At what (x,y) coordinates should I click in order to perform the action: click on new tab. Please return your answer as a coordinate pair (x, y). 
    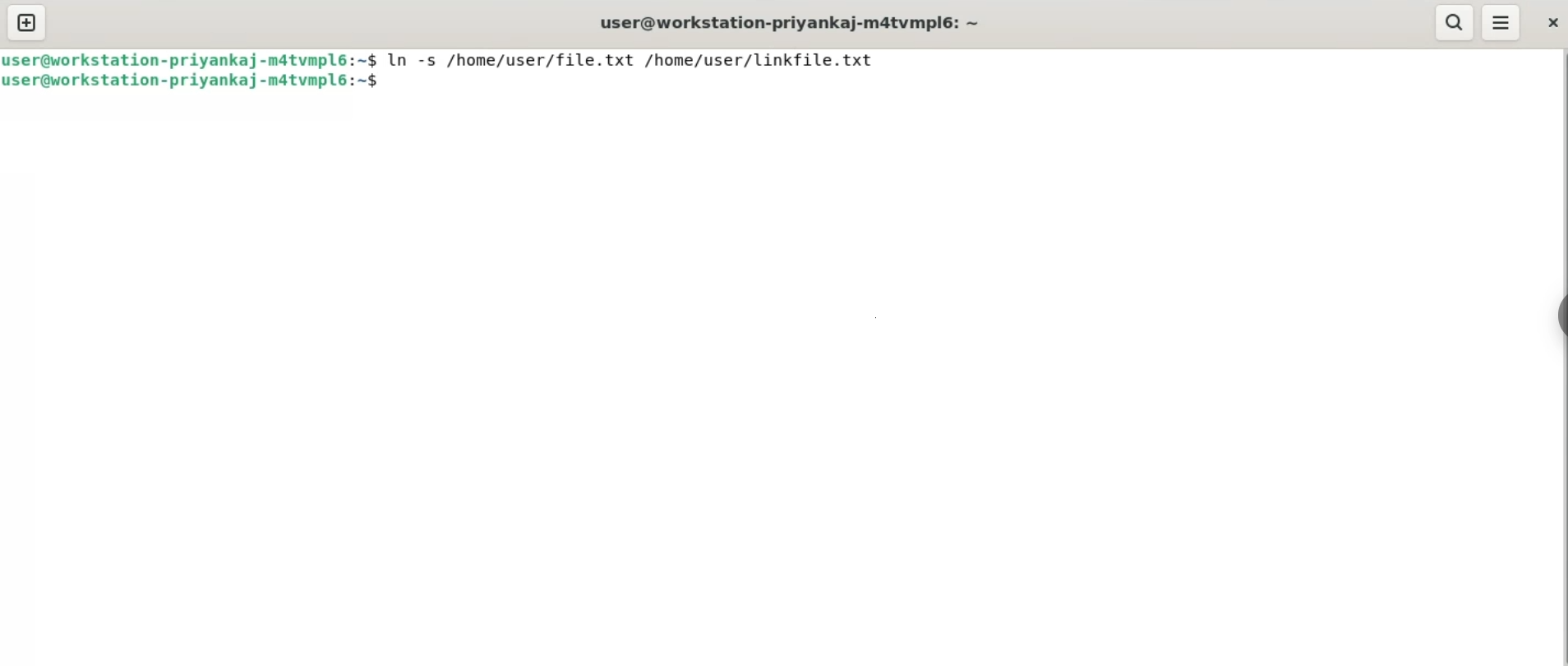
    Looking at the image, I should click on (27, 21).